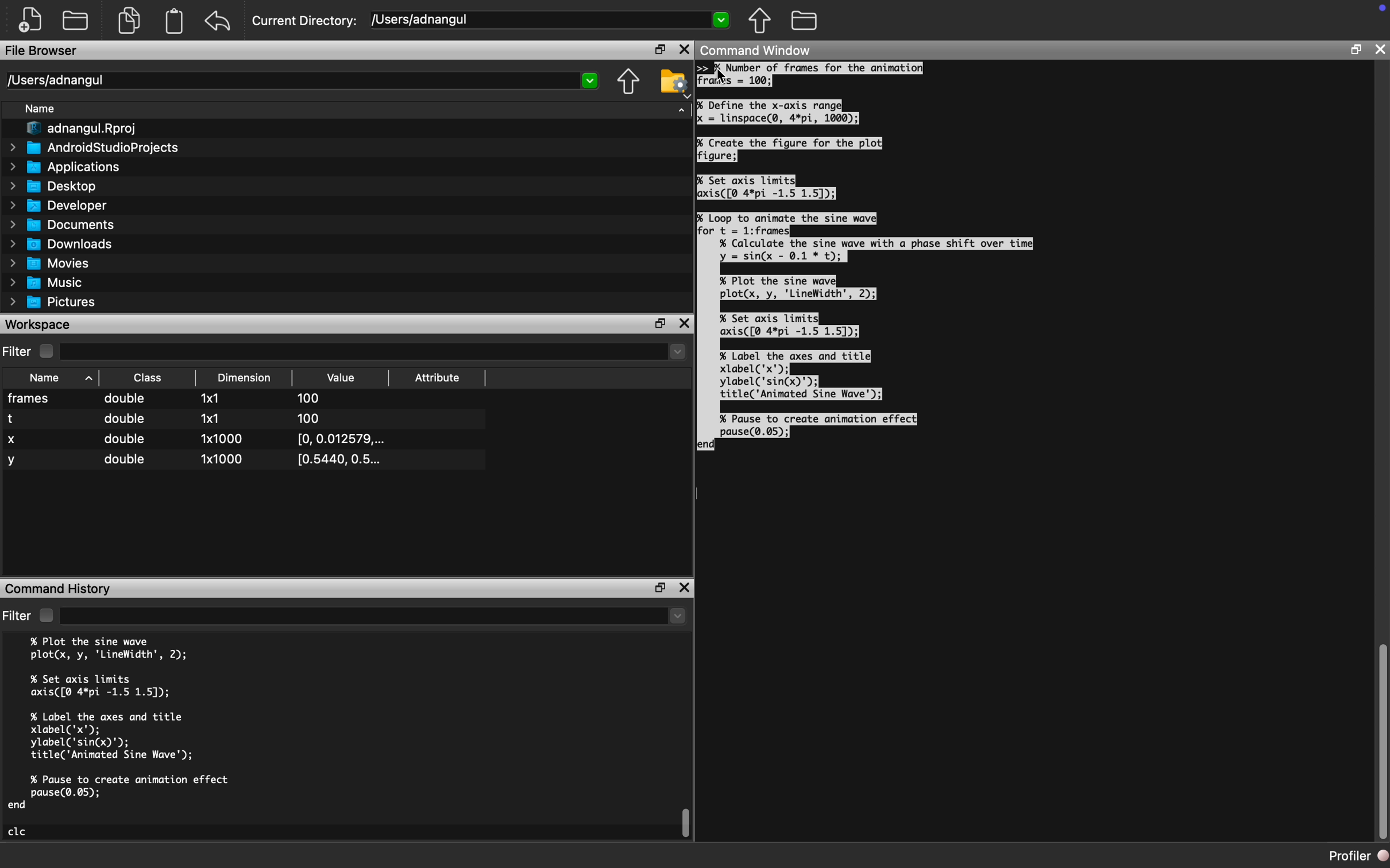 This screenshot has height=868, width=1390. Describe the element at coordinates (685, 323) in the screenshot. I see `Close` at that location.